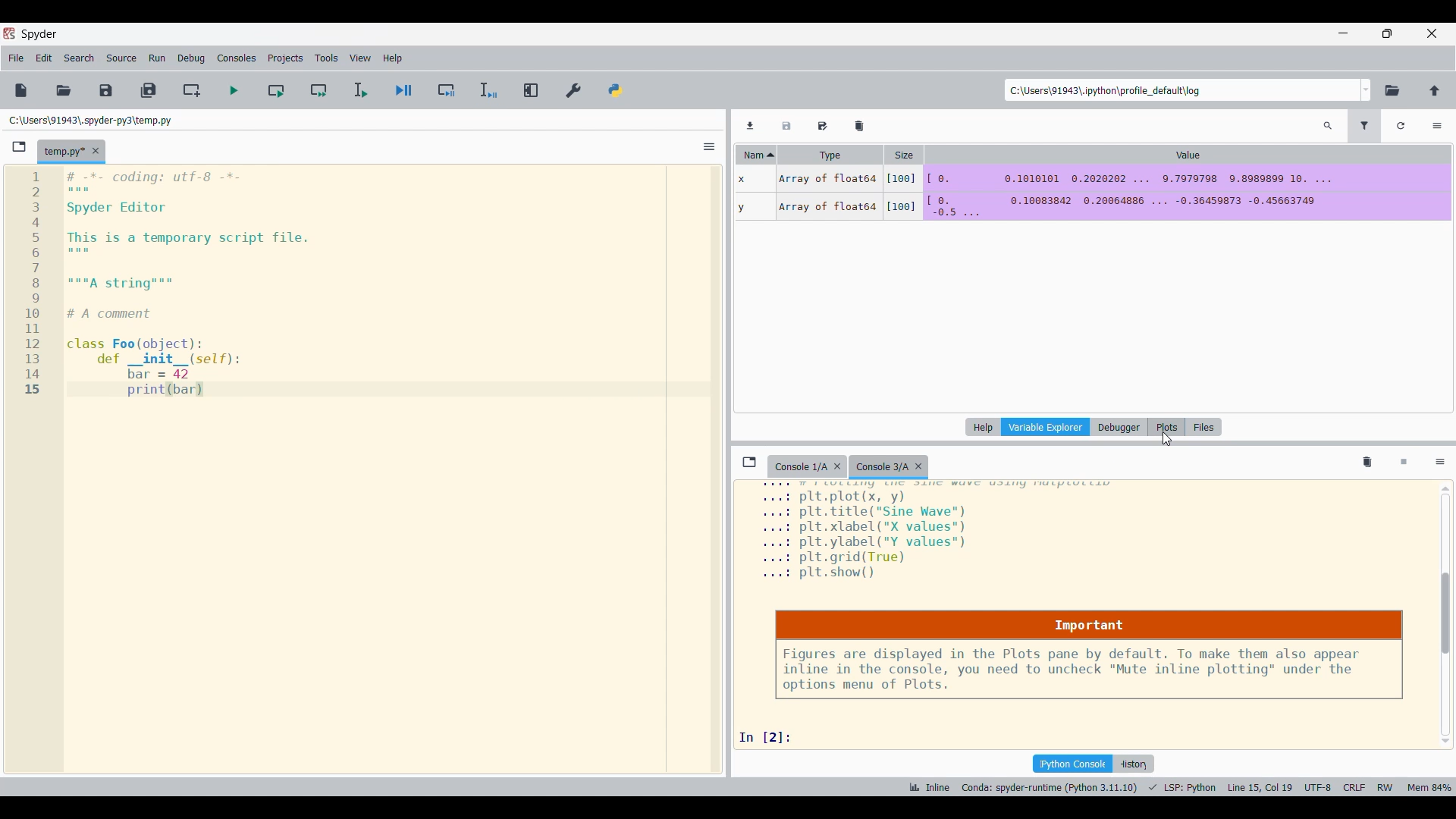 The image size is (1456, 819). I want to click on Projects menu, so click(286, 58).